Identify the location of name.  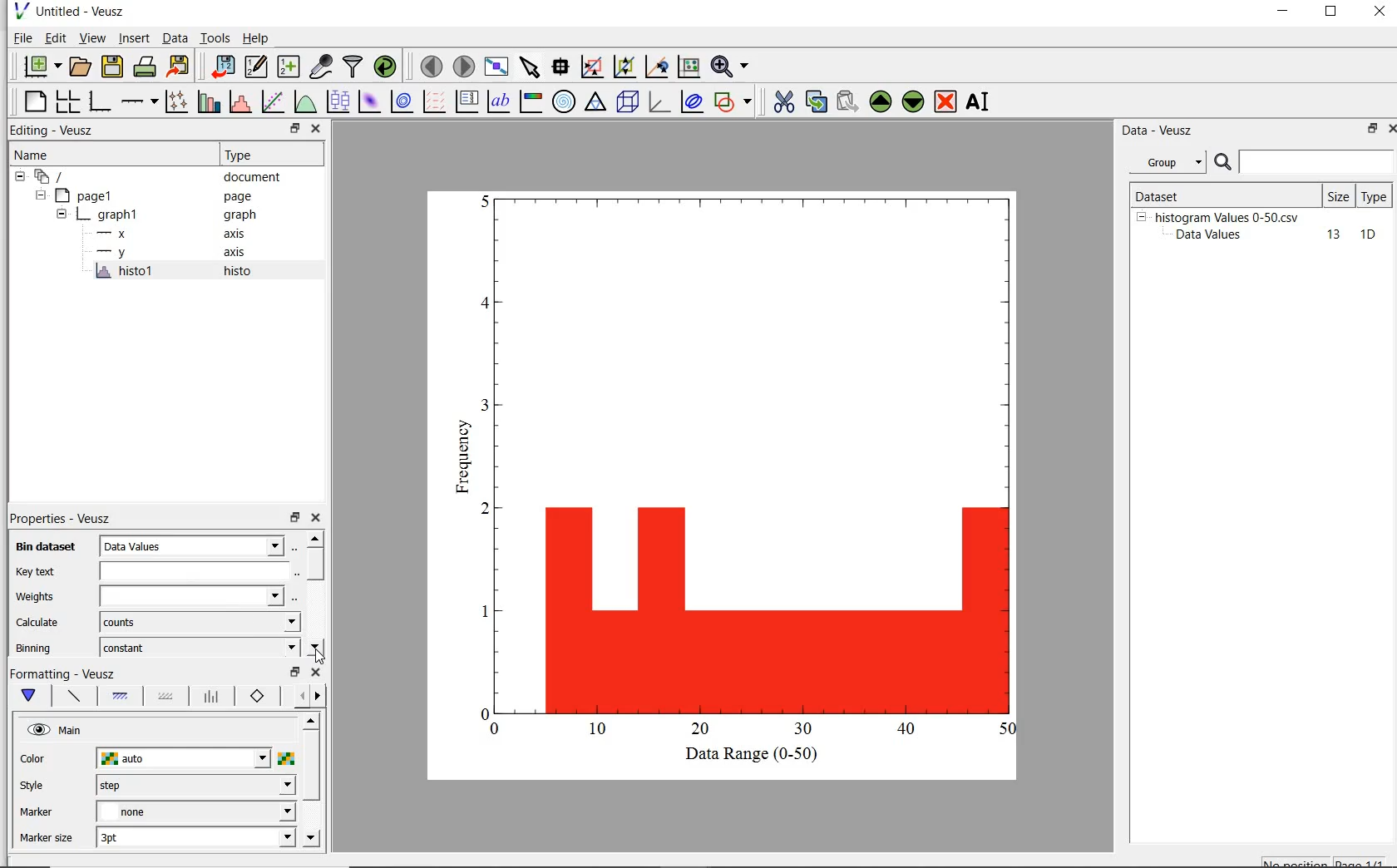
(30, 155).